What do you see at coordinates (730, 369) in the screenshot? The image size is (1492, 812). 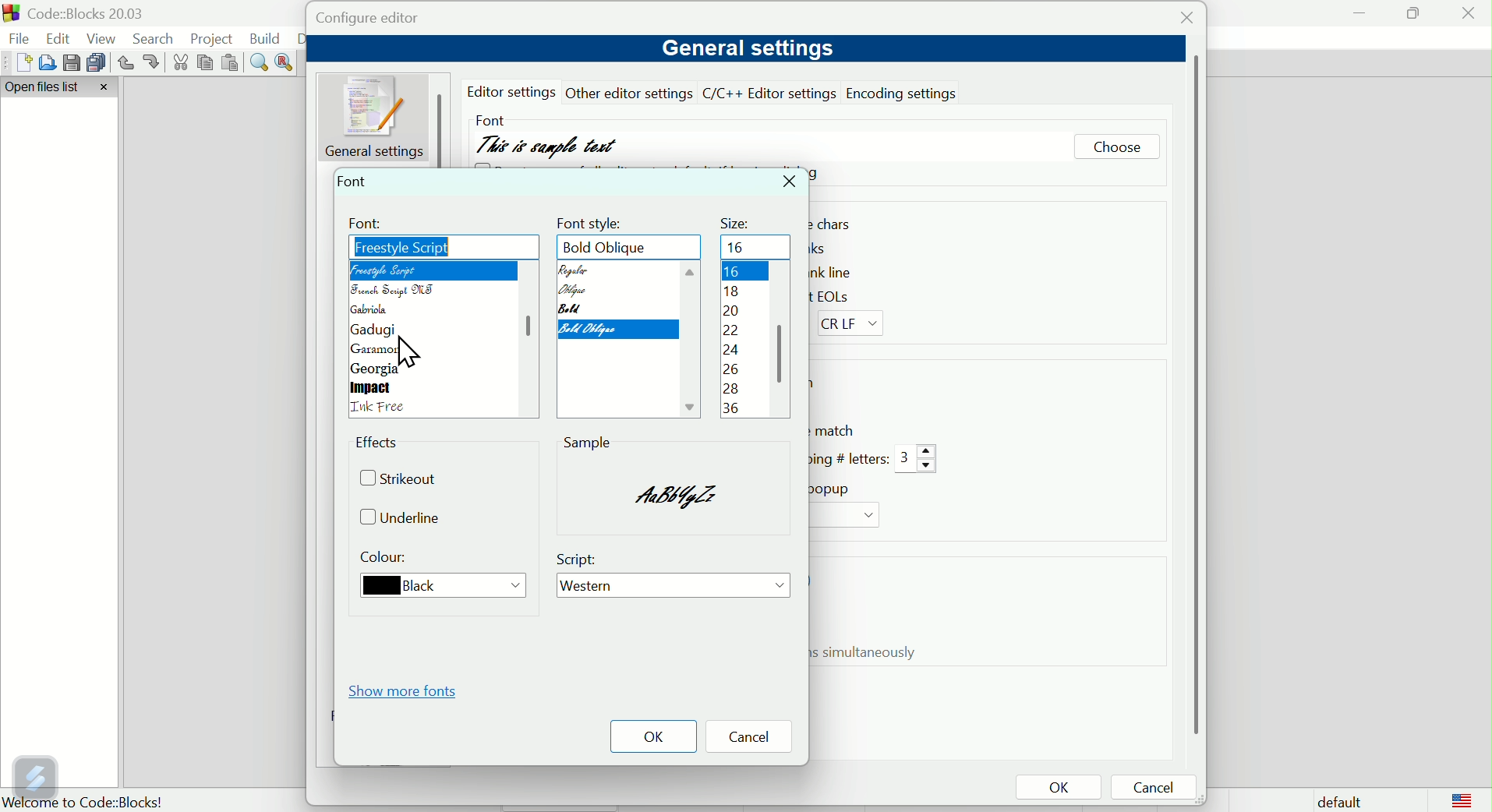 I see `26` at bounding box center [730, 369].